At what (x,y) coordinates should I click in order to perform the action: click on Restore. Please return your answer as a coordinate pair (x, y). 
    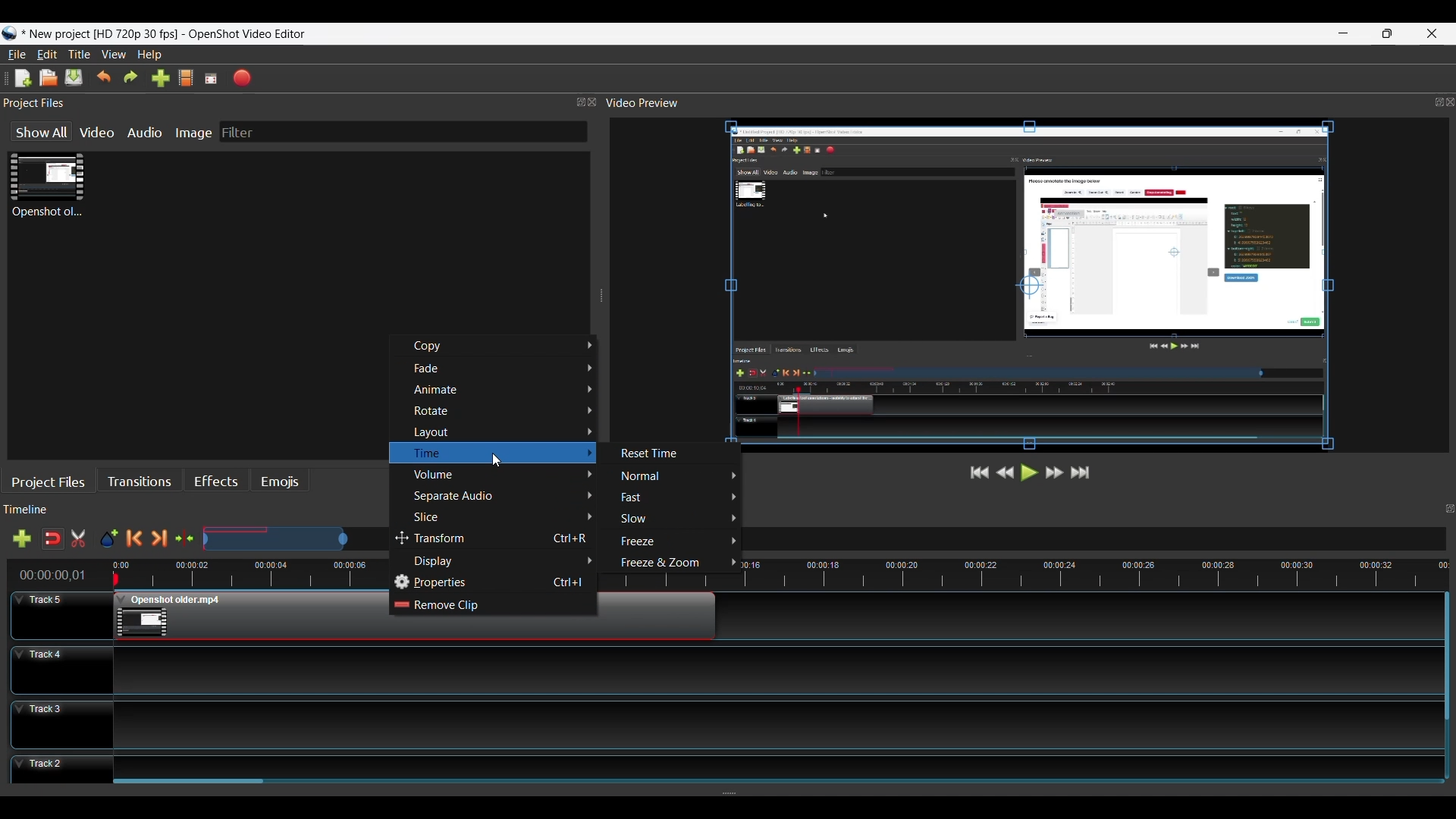
    Looking at the image, I should click on (1389, 33).